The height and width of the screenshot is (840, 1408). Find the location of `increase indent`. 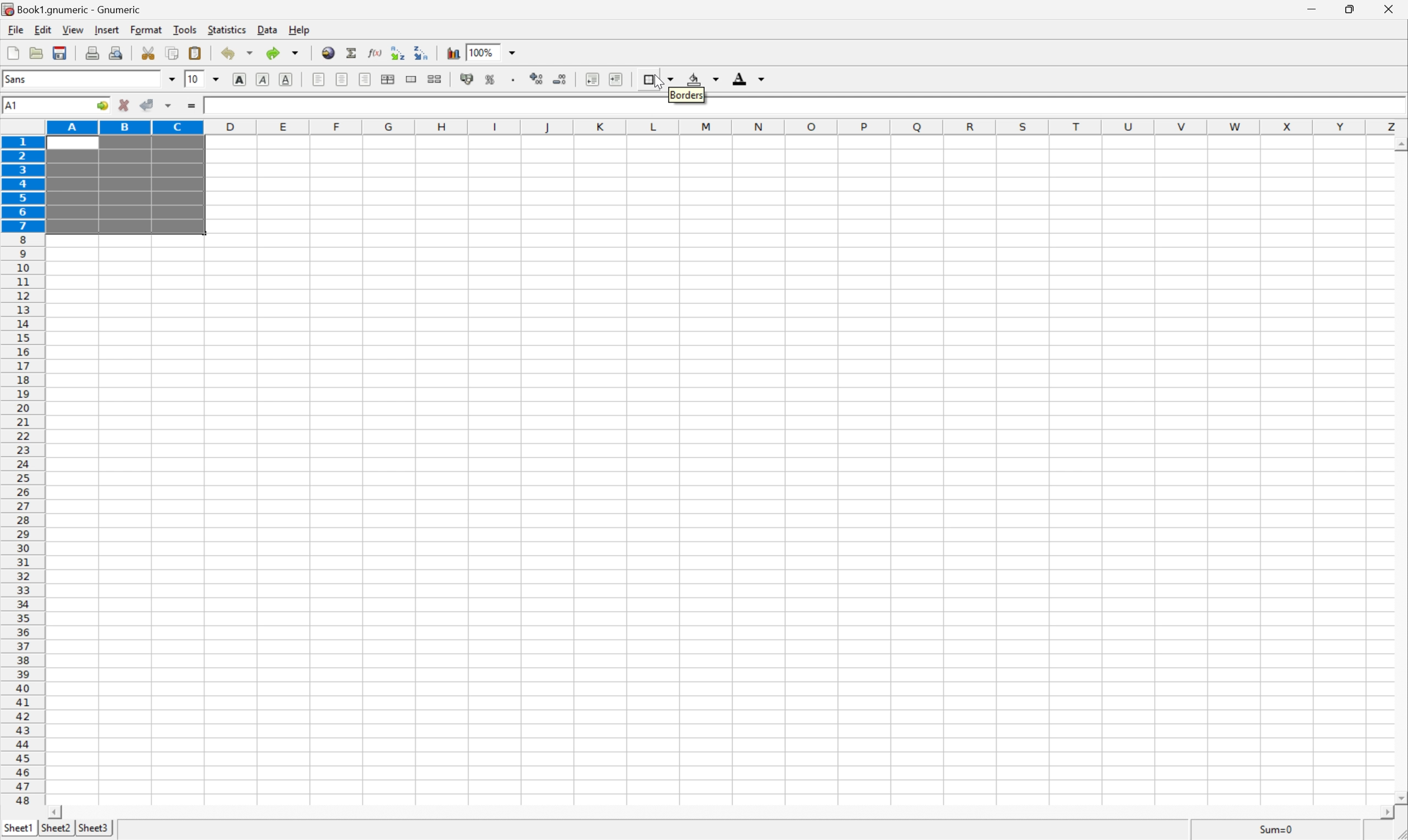

increase indent is located at coordinates (613, 78).